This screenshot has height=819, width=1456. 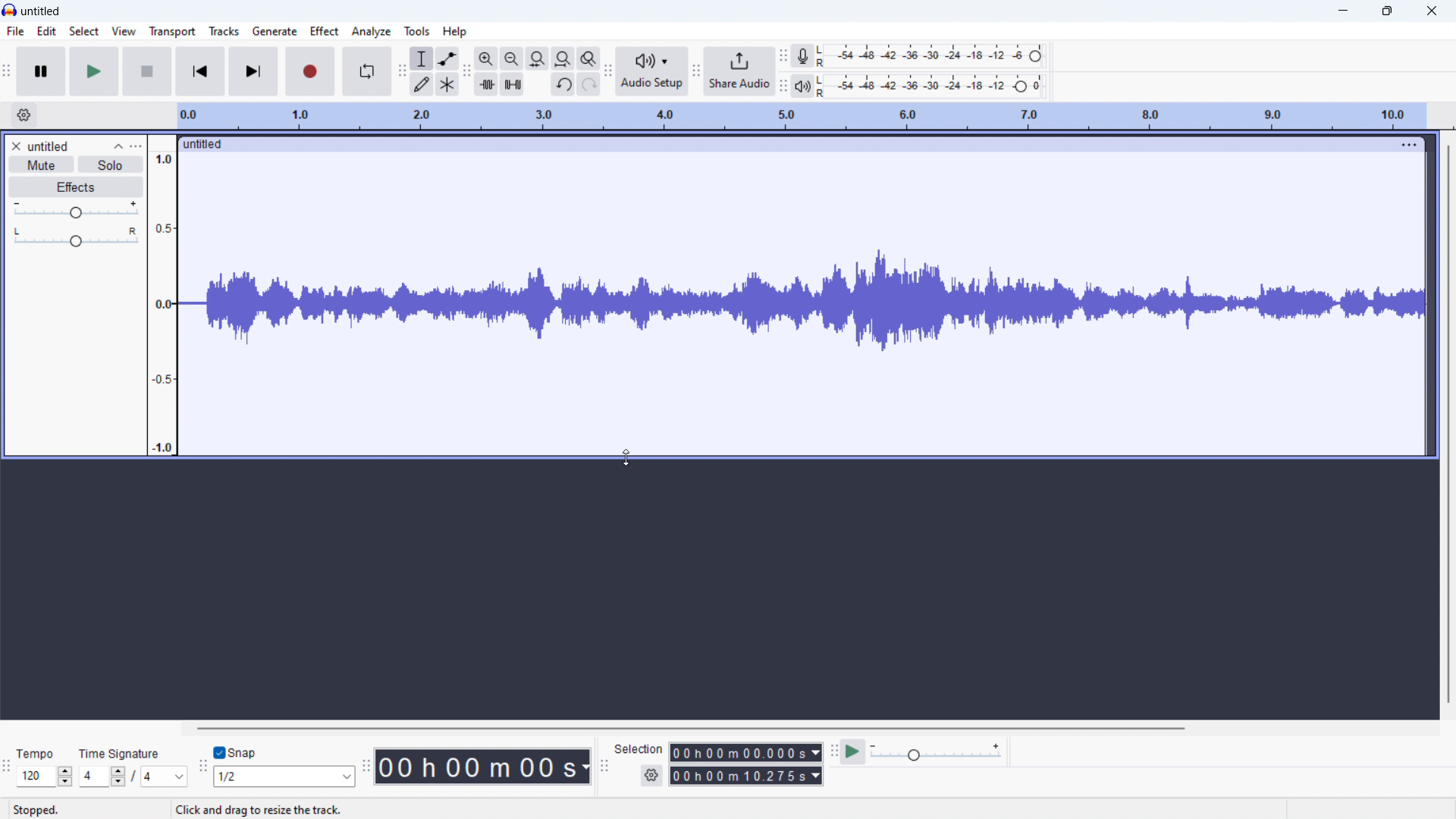 What do you see at coordinates (588, 58) in the screenshot?
I see `toggle zoom` at bounding box center [588, 58].